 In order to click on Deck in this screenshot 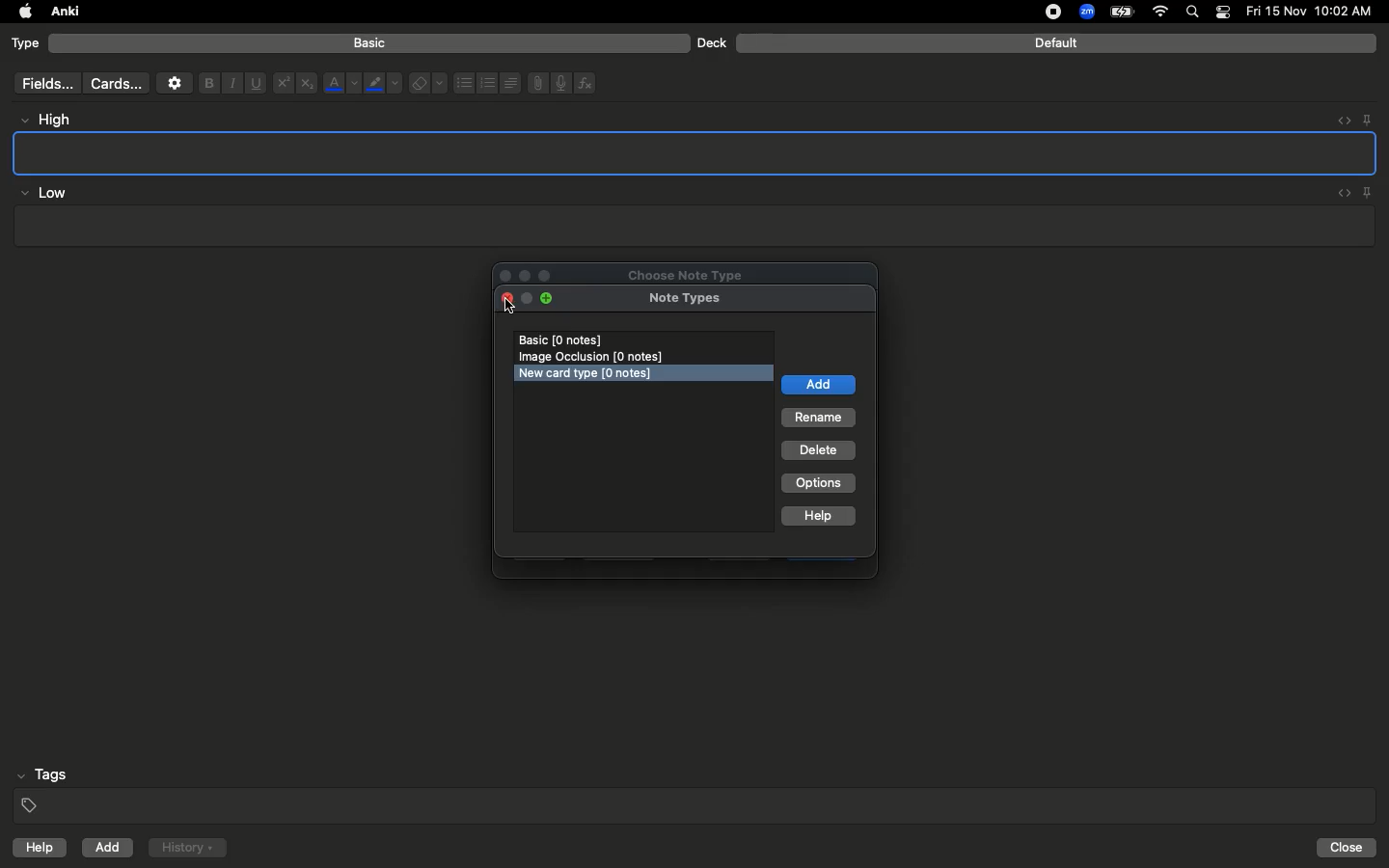, I will do `click(711, 42)`.